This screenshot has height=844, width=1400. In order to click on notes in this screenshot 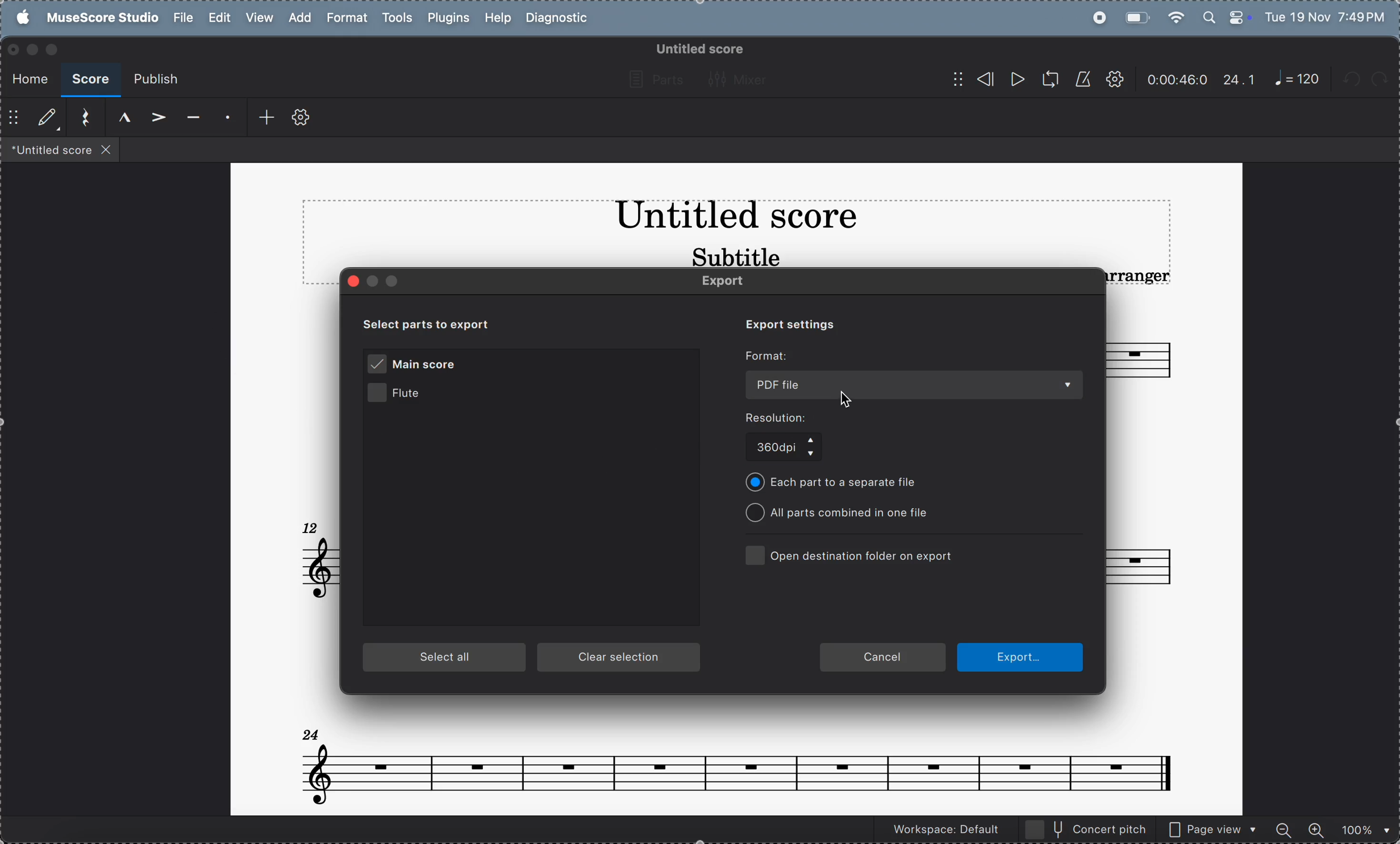, I will do `click(736, 760)`.